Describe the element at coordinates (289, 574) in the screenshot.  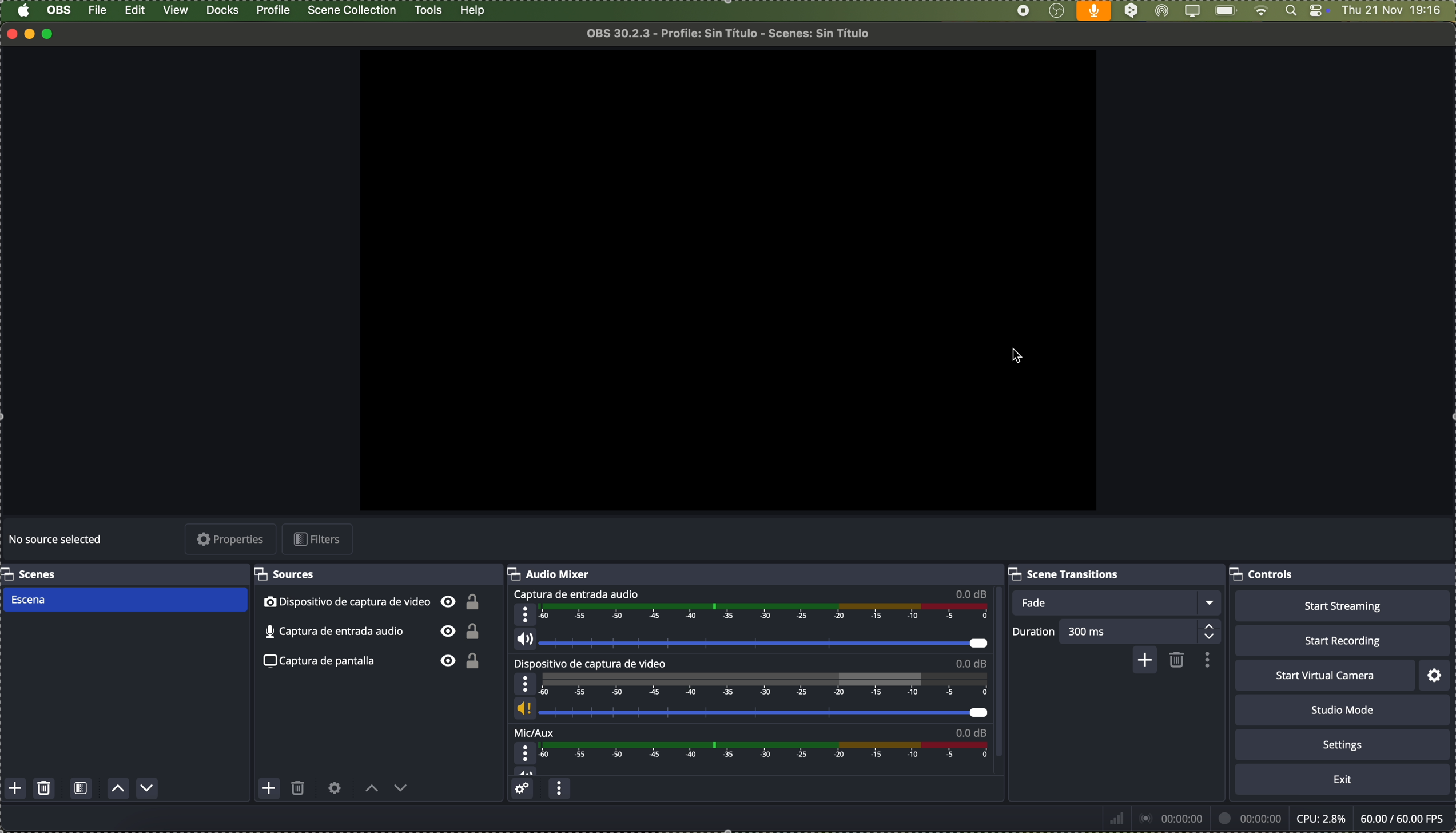
I see `sources` at that location.